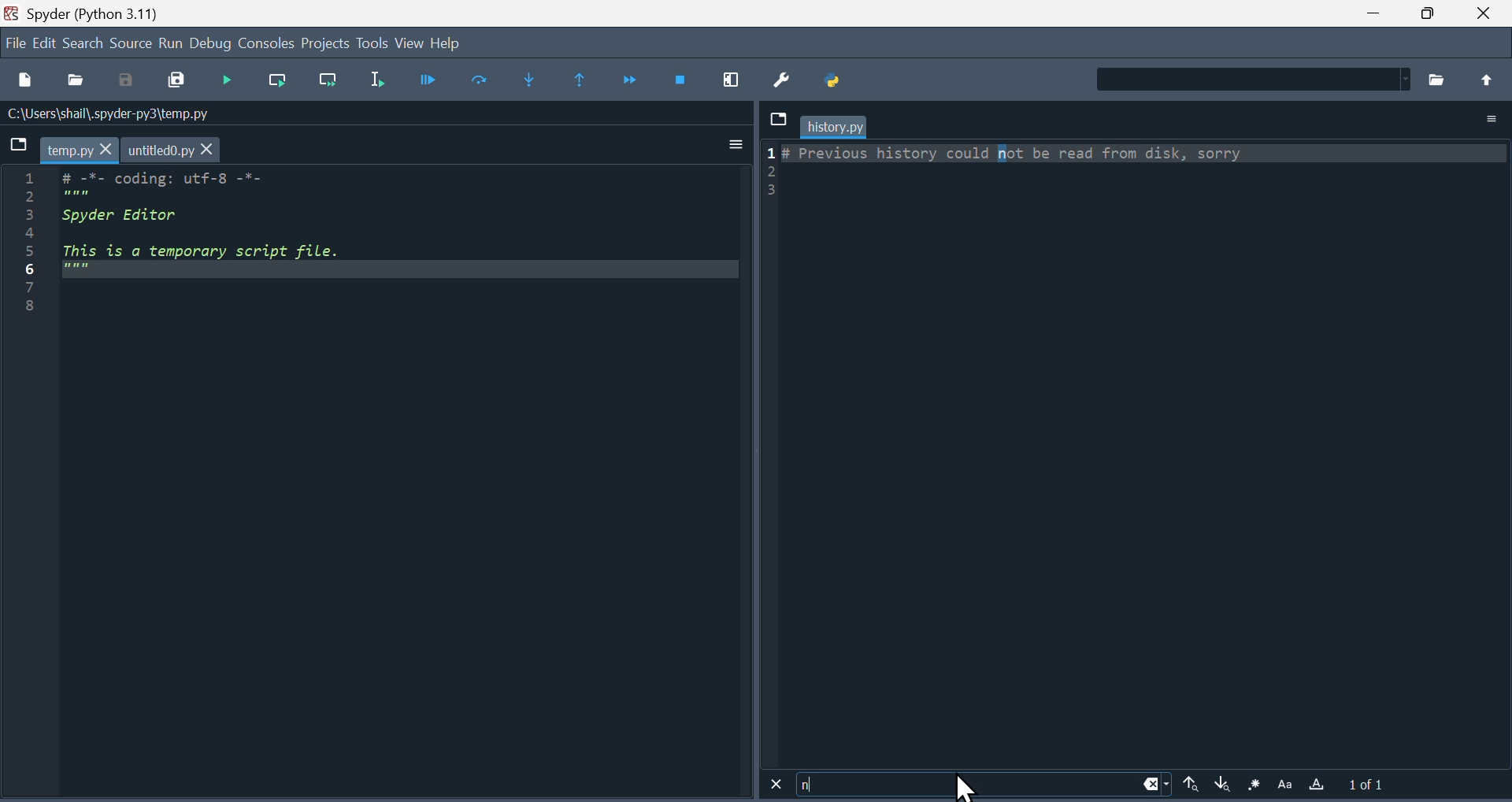  Describe the element at coordinates (210, 43) in the screenshot. I see `Debug` at that location.